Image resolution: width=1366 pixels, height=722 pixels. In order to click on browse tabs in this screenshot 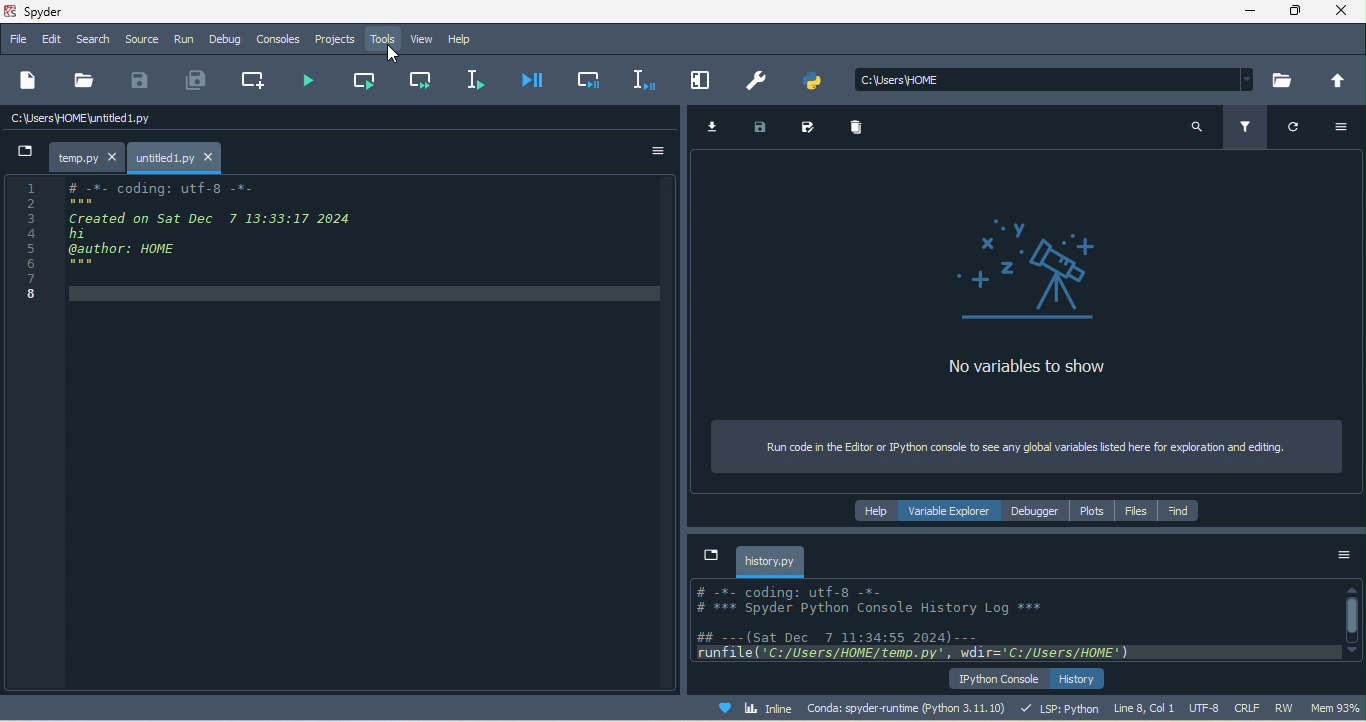, I will do `click(713, 557)`.